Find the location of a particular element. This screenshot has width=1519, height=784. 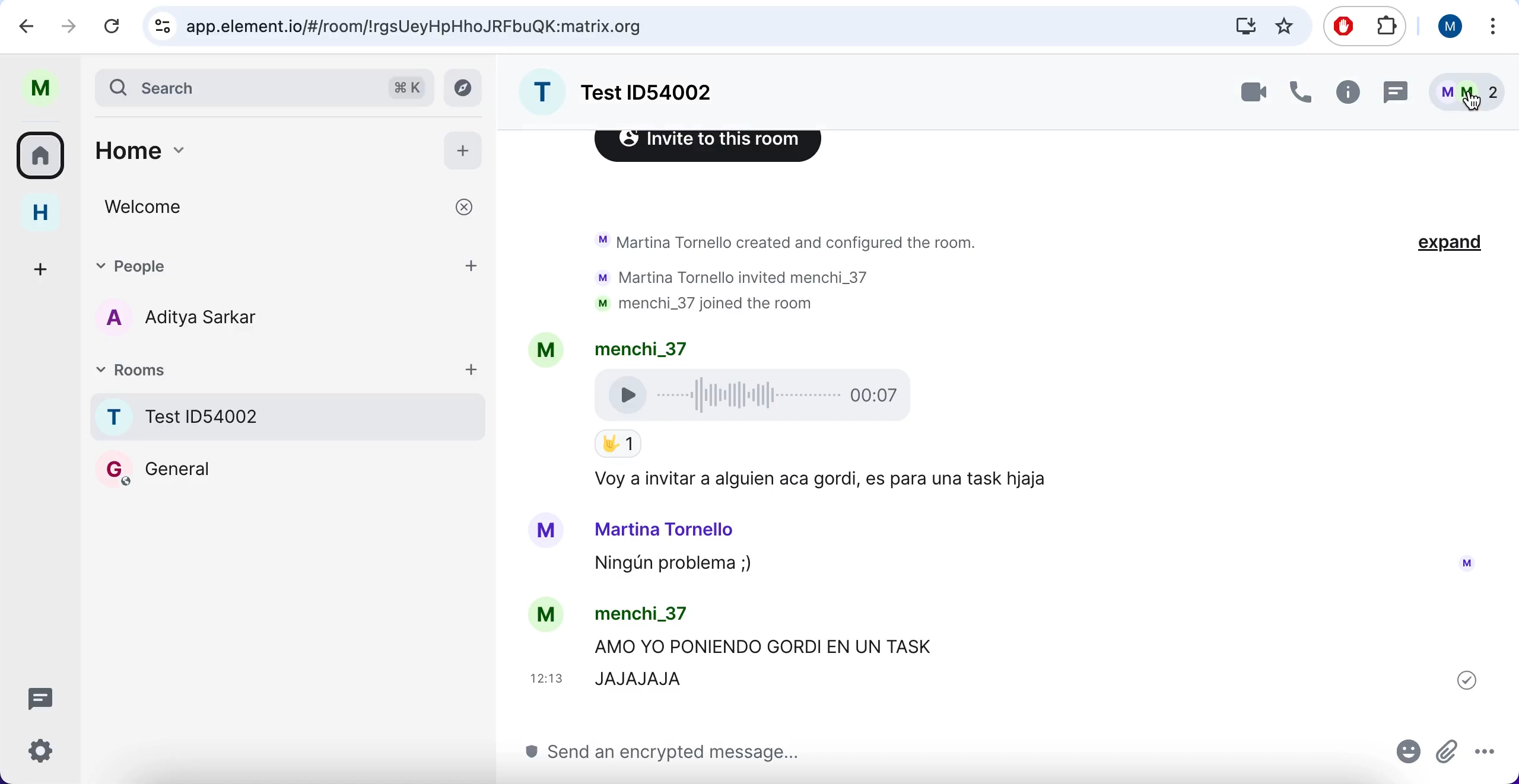

view archive is located at coordinates (462, 88).